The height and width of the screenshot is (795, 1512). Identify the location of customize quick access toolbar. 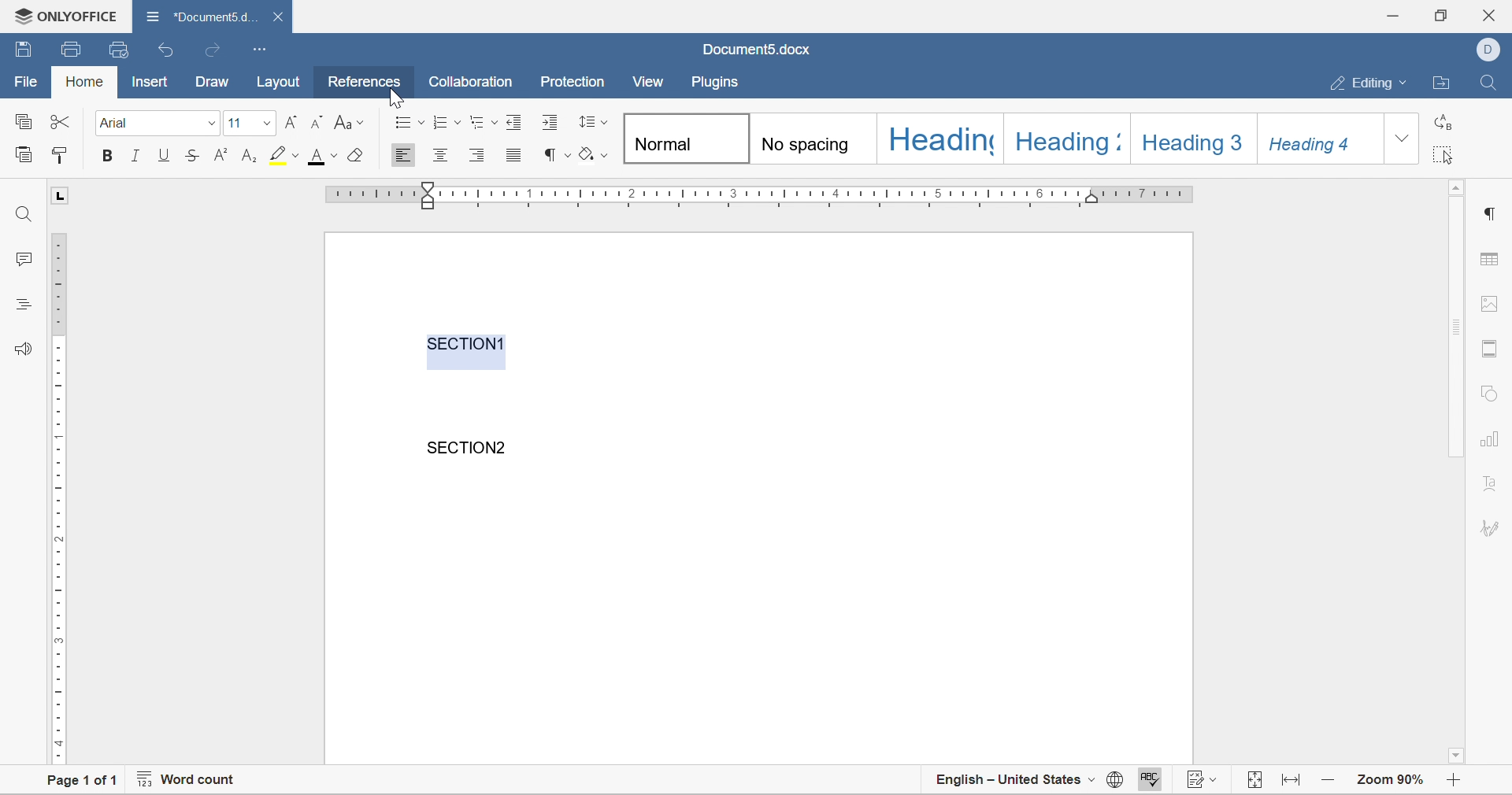
(261, 48).